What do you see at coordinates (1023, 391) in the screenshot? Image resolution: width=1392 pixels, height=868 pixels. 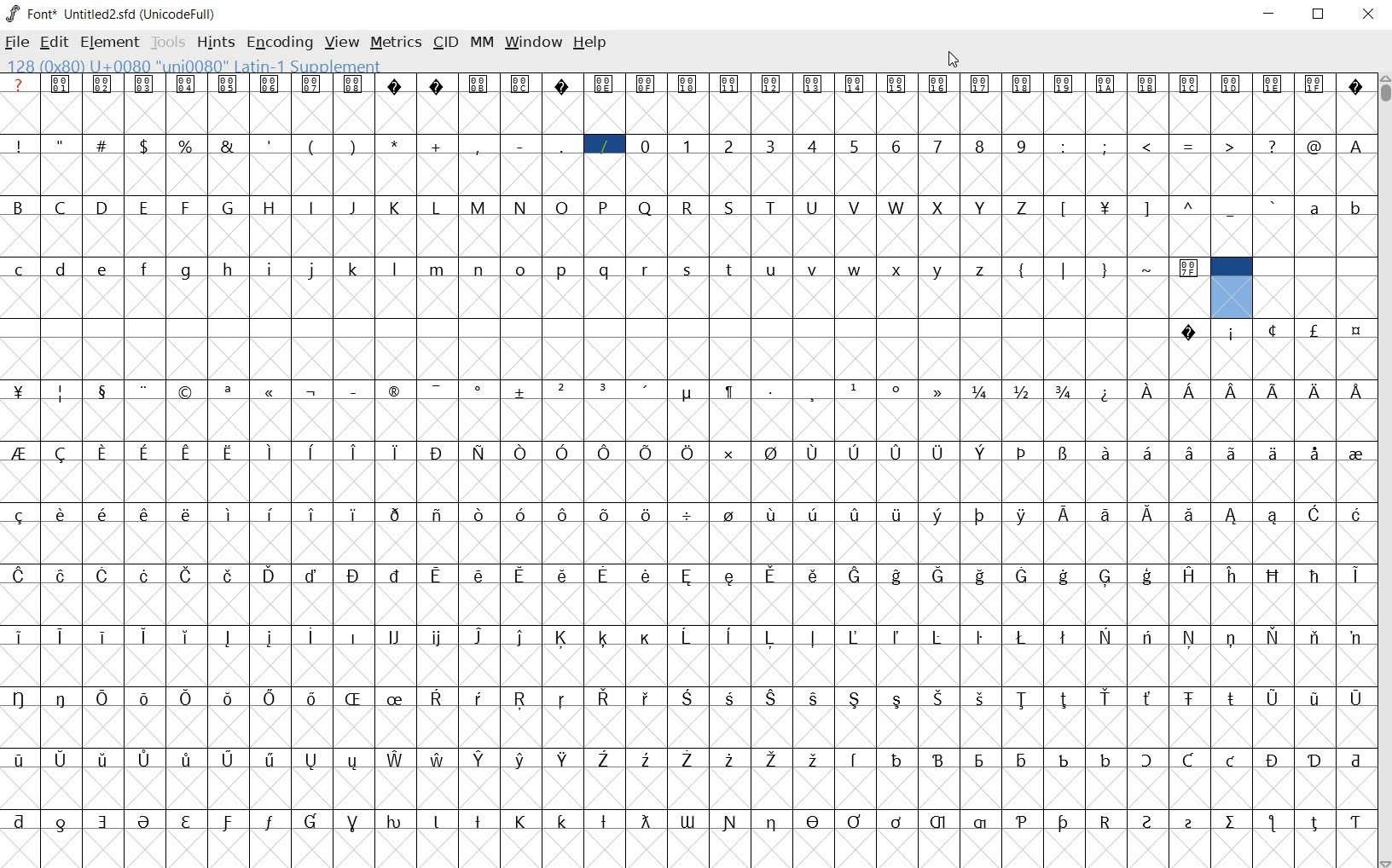 I see `Symbol` at bounding box center [1023, 391].